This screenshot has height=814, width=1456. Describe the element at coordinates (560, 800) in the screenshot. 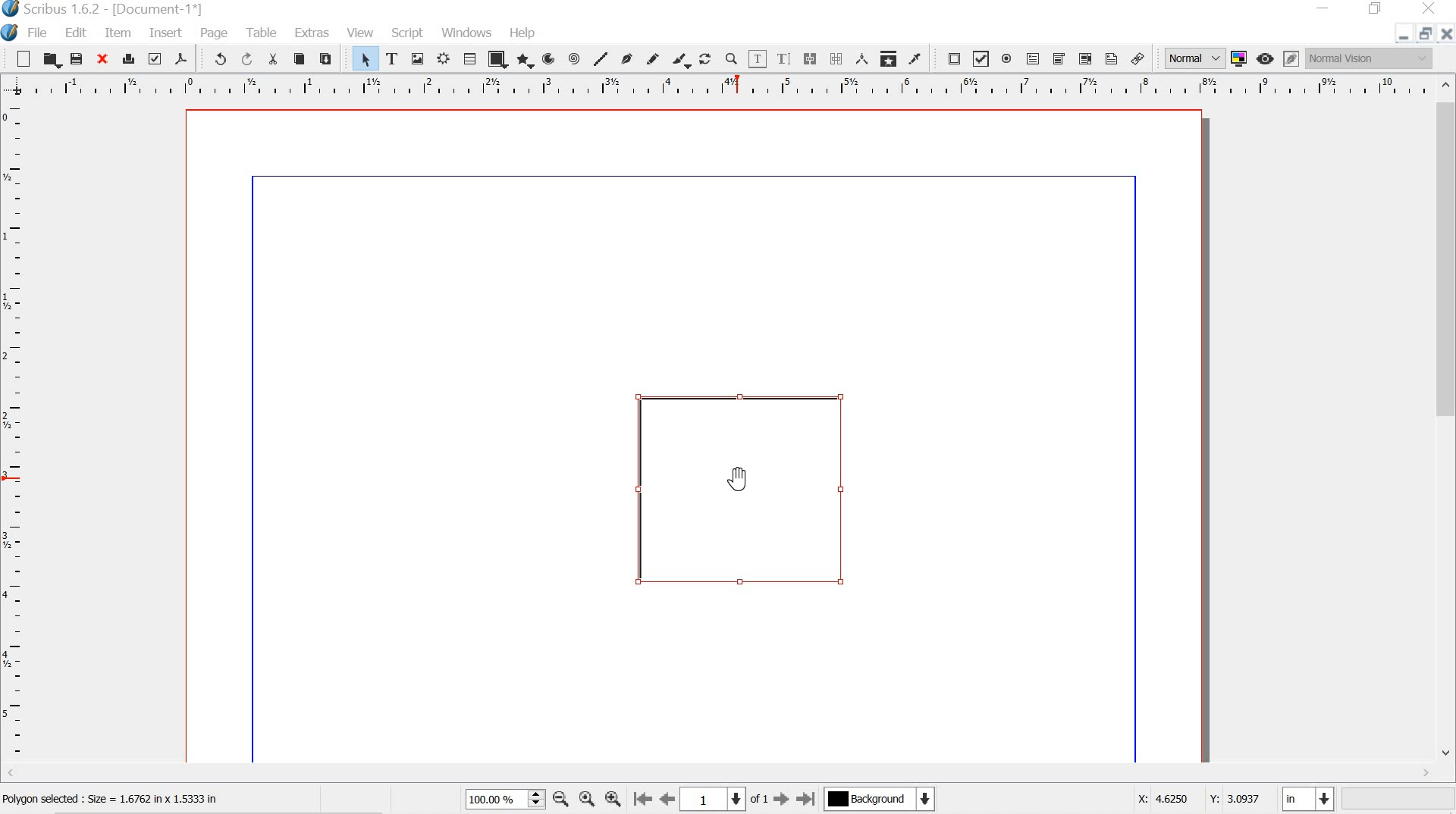

I see `zoom out` at that location.